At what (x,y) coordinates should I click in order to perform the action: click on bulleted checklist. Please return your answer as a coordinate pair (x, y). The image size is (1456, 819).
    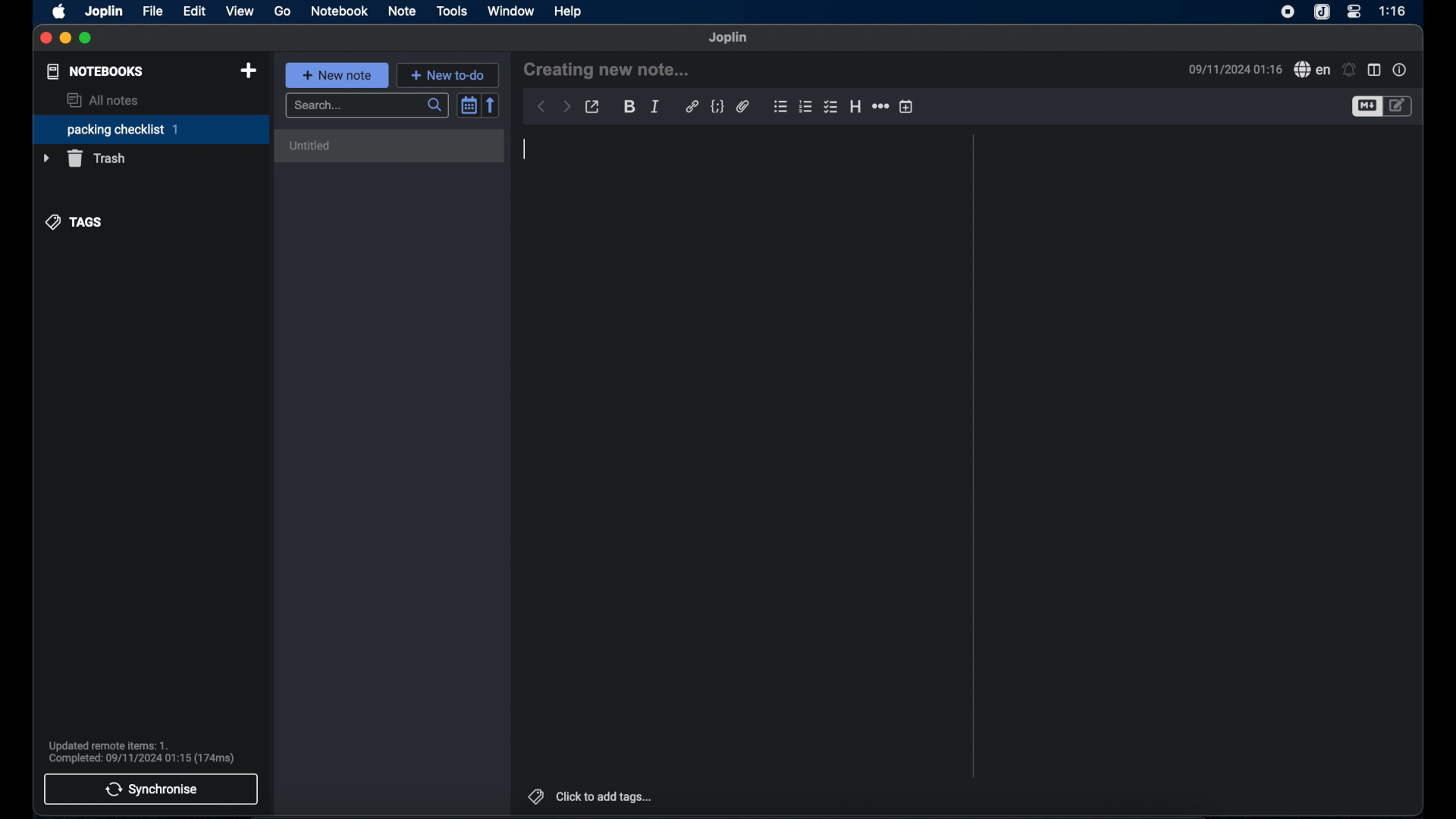
    Looking at the image, I should click on (780, 108).